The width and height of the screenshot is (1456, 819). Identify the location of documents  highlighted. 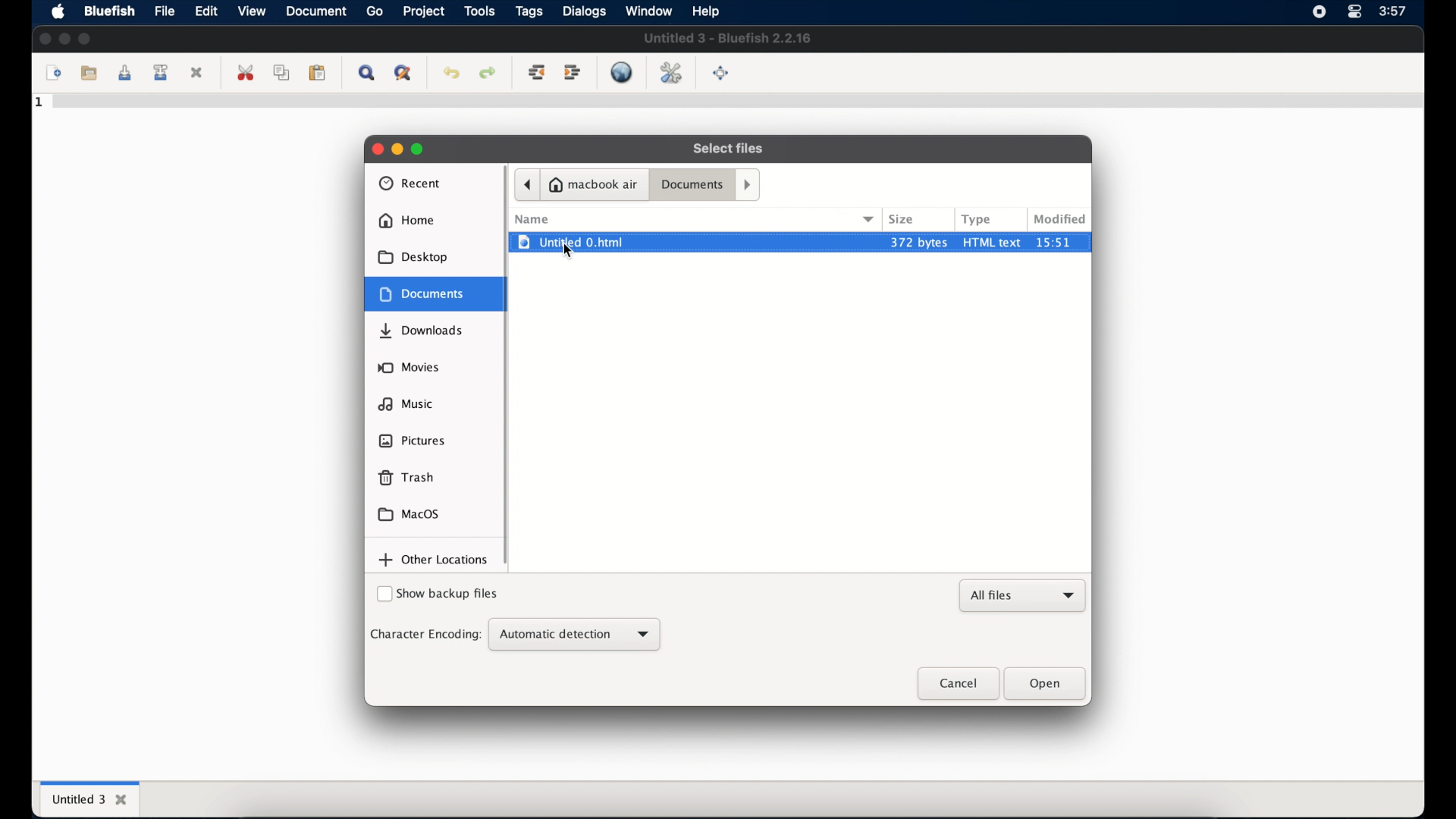
(436, 293).